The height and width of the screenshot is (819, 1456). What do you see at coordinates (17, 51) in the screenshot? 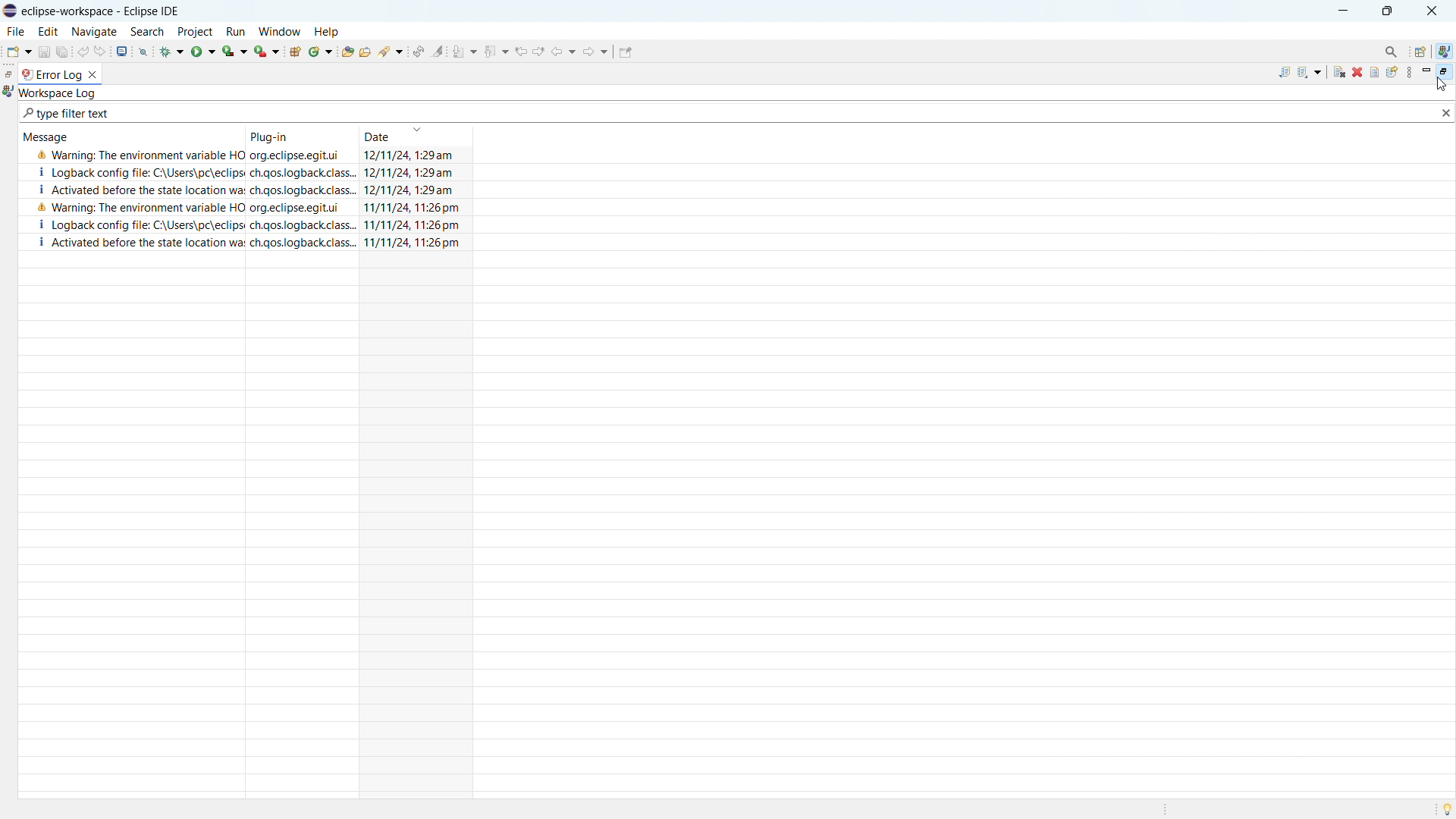
I see `new` at bounding box center [17, 51].